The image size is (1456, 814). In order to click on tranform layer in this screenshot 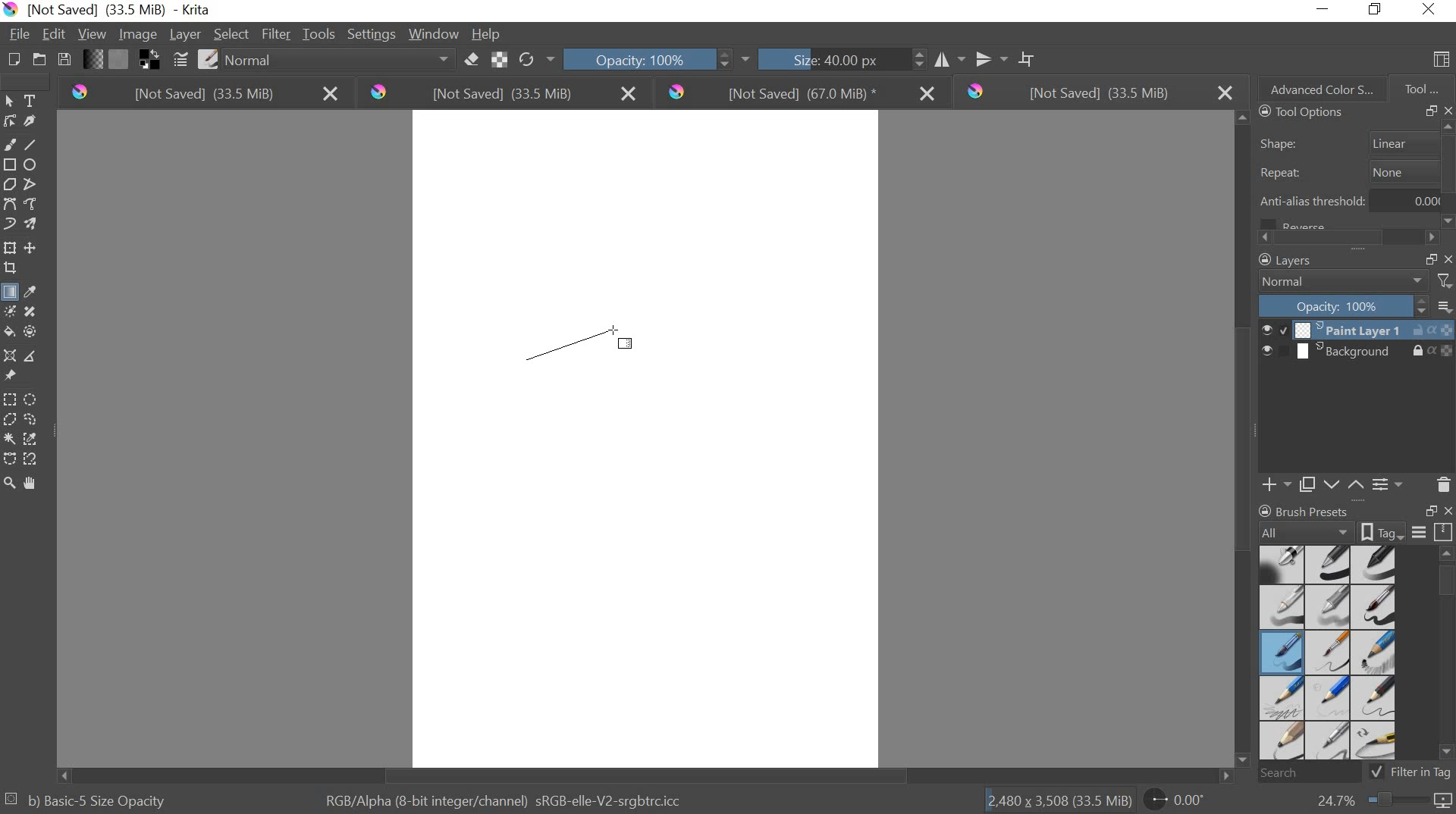, I will do `click(11, 249)`.